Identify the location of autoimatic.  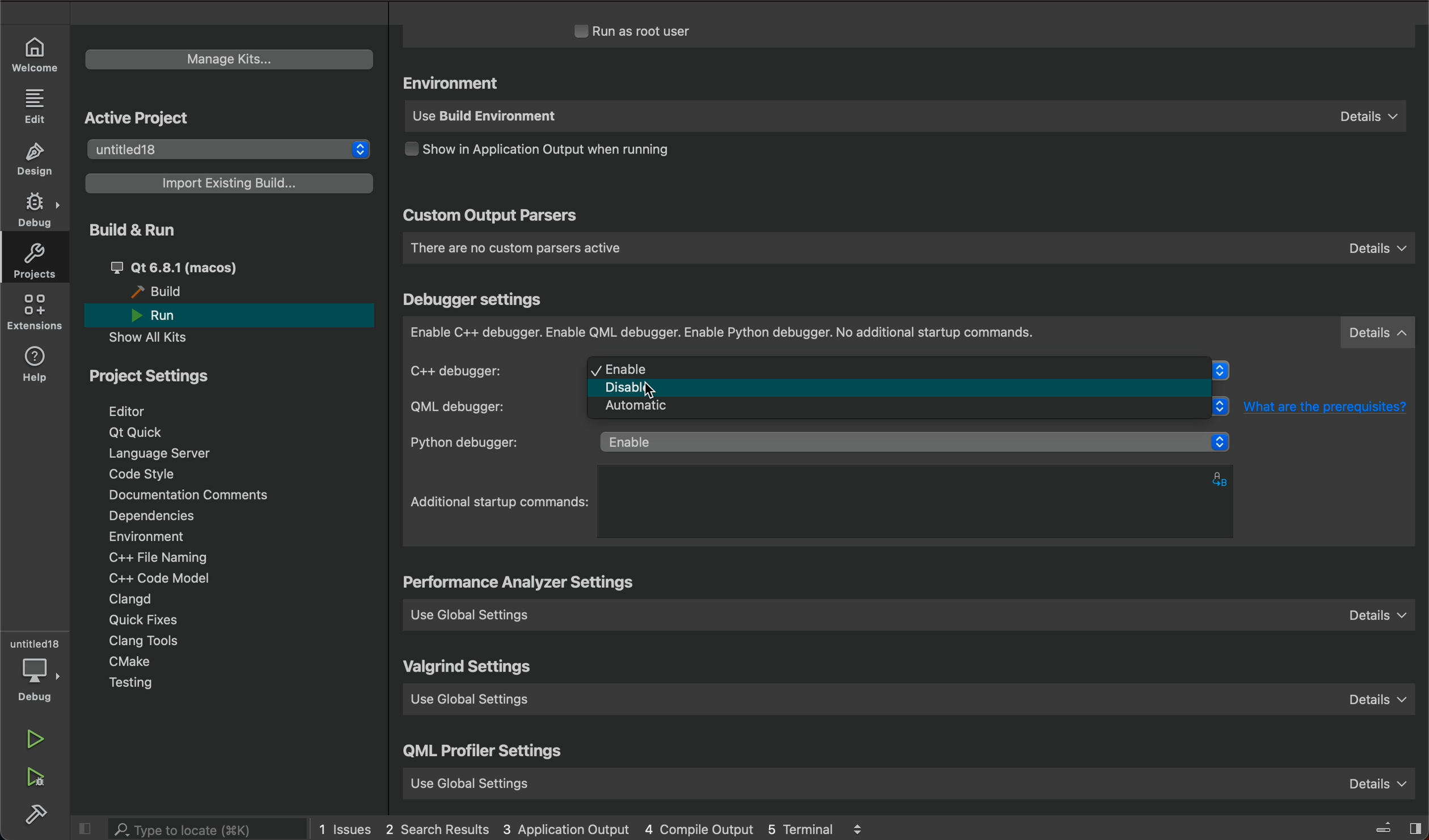
(905, 410).